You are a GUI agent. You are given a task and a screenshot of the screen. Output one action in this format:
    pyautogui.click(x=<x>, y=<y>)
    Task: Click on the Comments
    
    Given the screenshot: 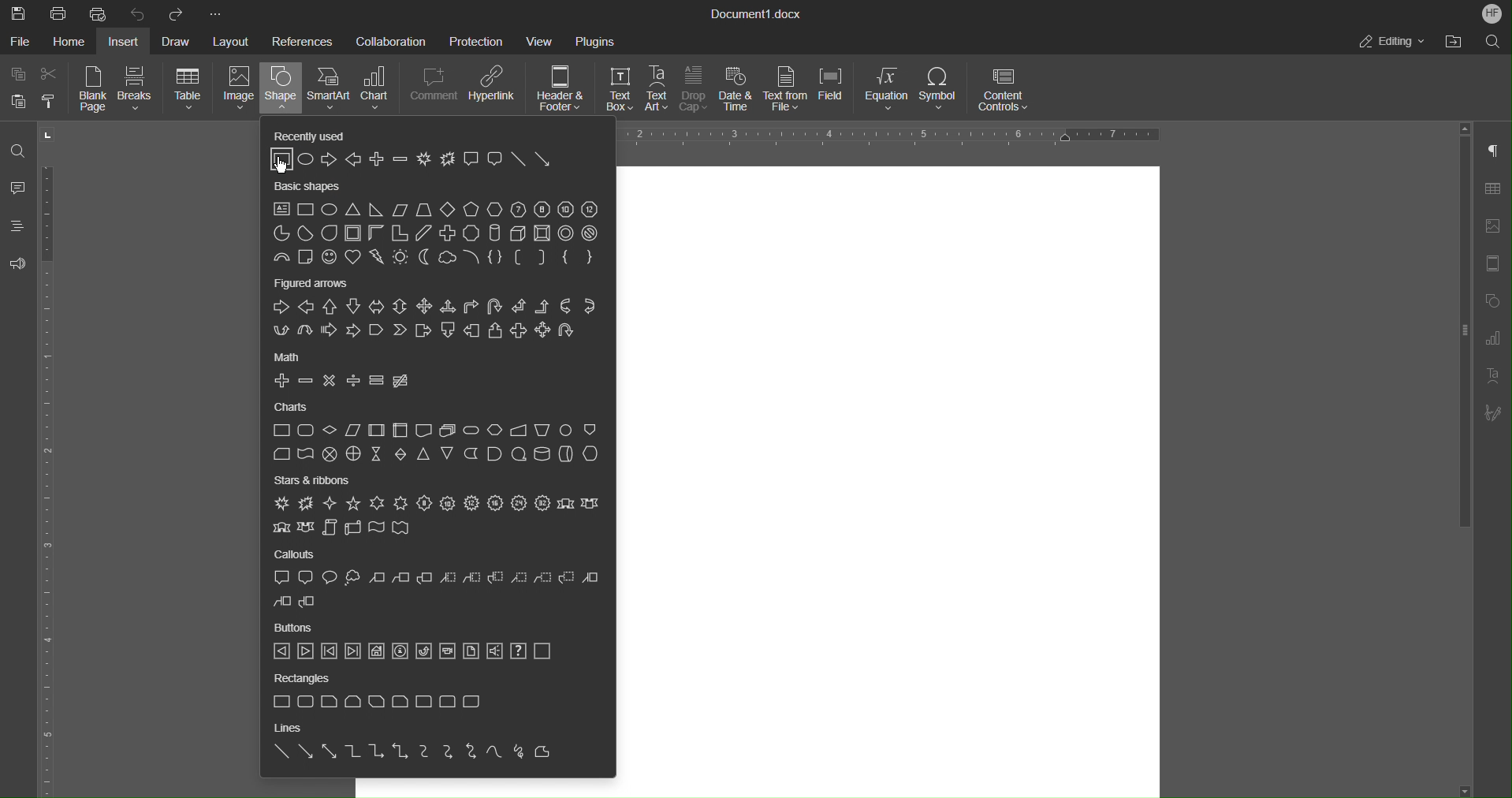 What is the action you would take?
    pyautogui.click(x=19, y=189)
    